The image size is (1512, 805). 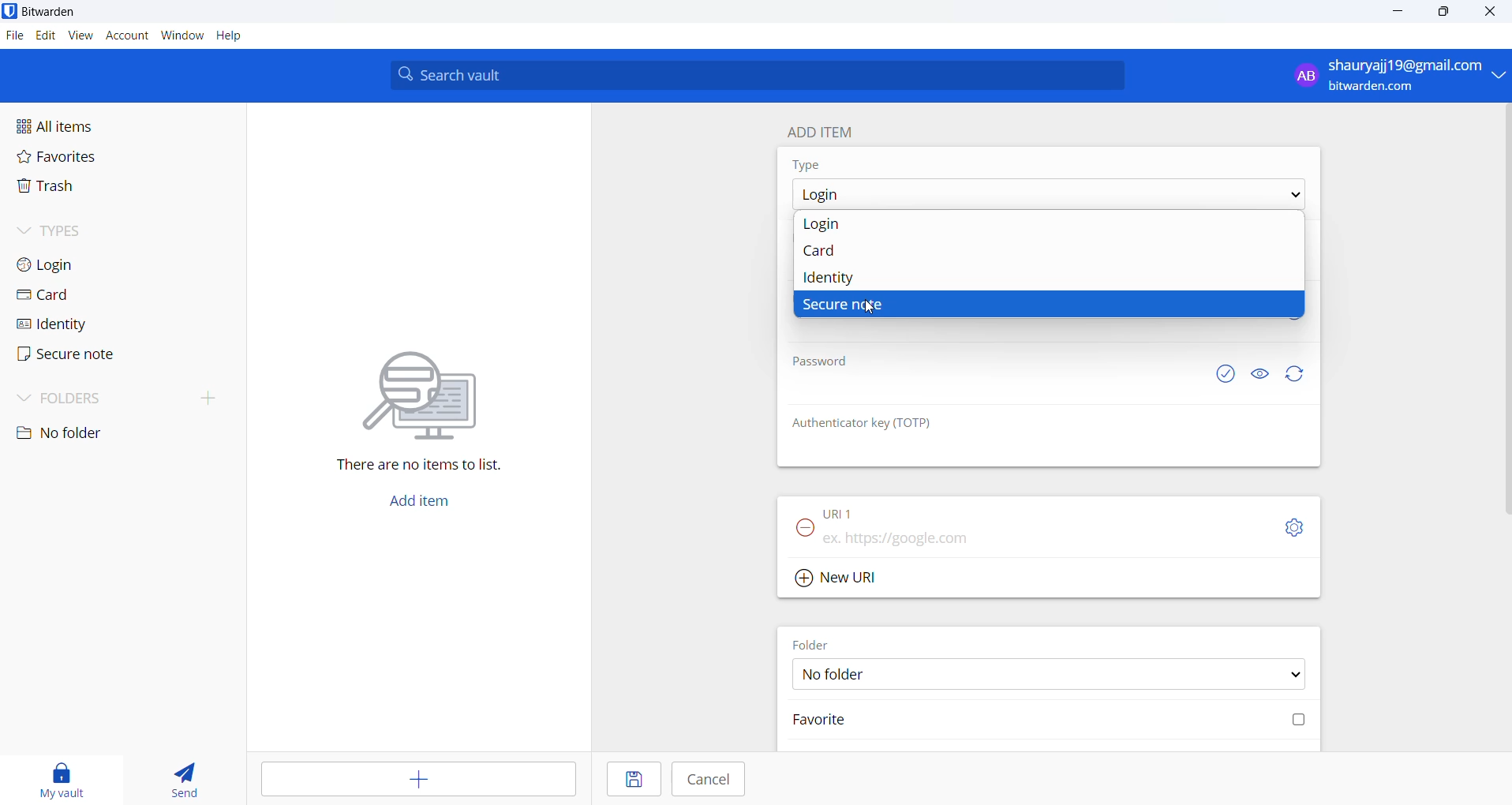 I want to click on all items, so click(x=88, y=127).